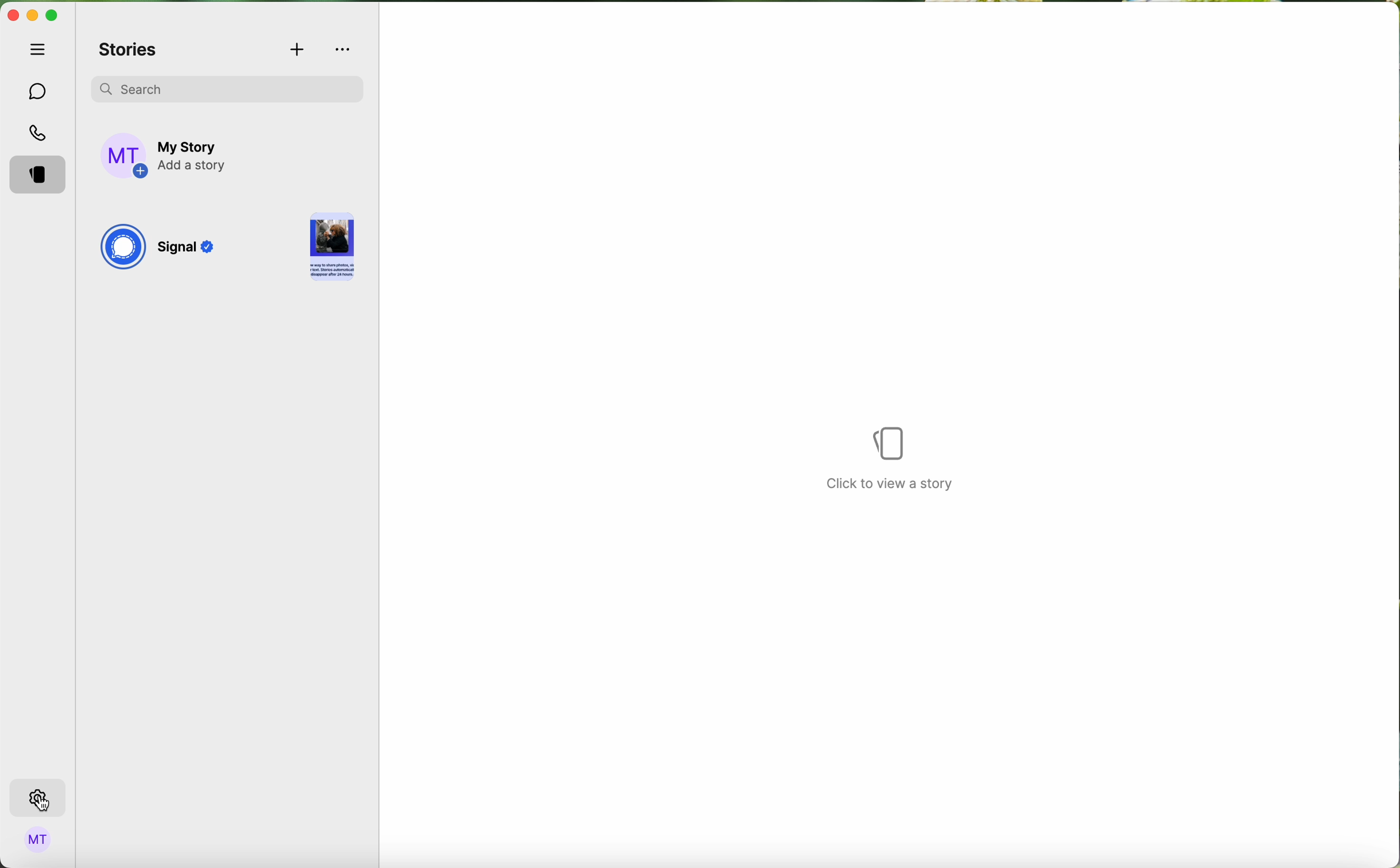 This screenshot has height=868, width=1400. I want to click on chats, so click(38, 92).